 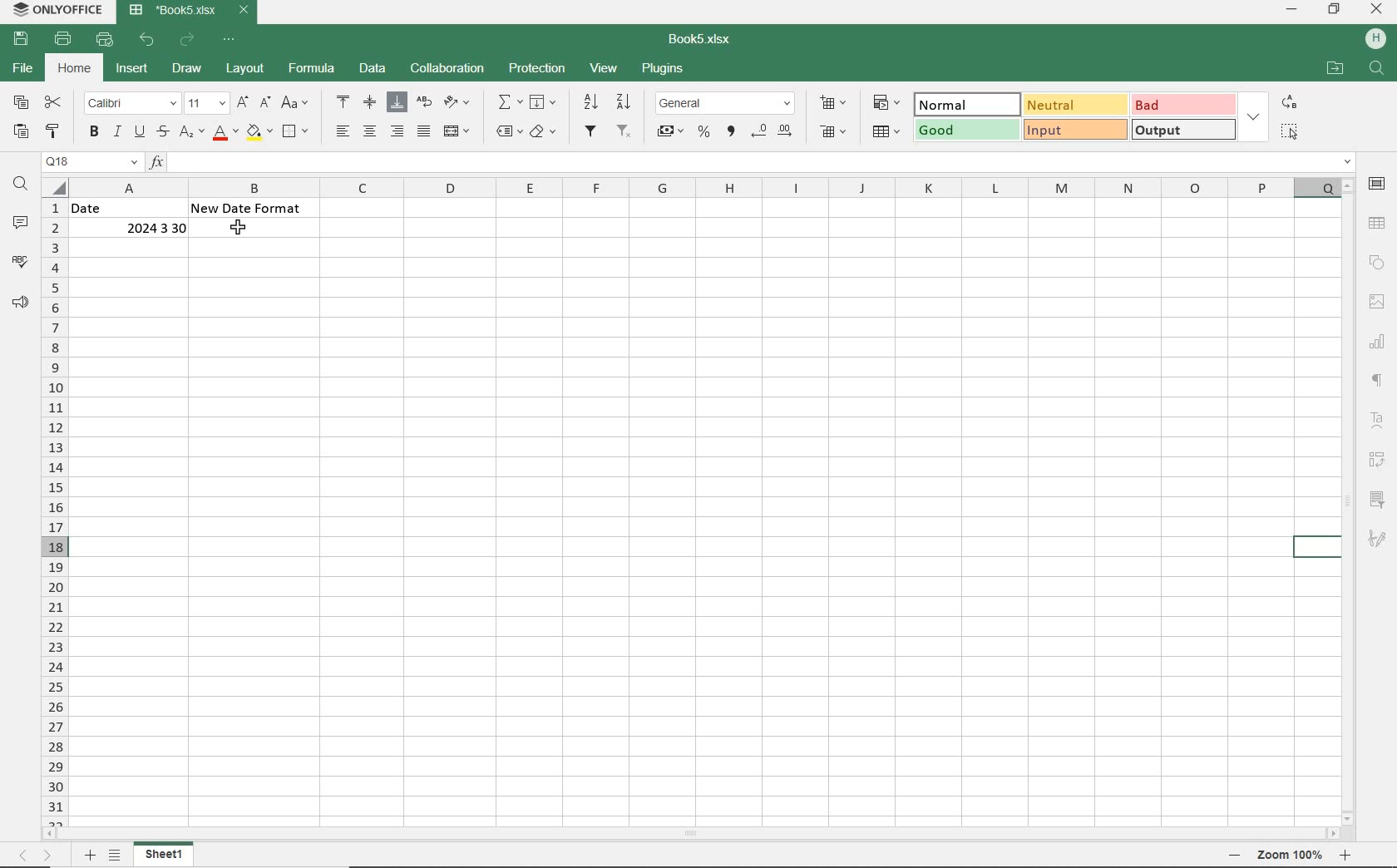 What do you see at coordinates (117, 131) in the screenshot?
I see `ITALIC` at bounding box center [117, 131].